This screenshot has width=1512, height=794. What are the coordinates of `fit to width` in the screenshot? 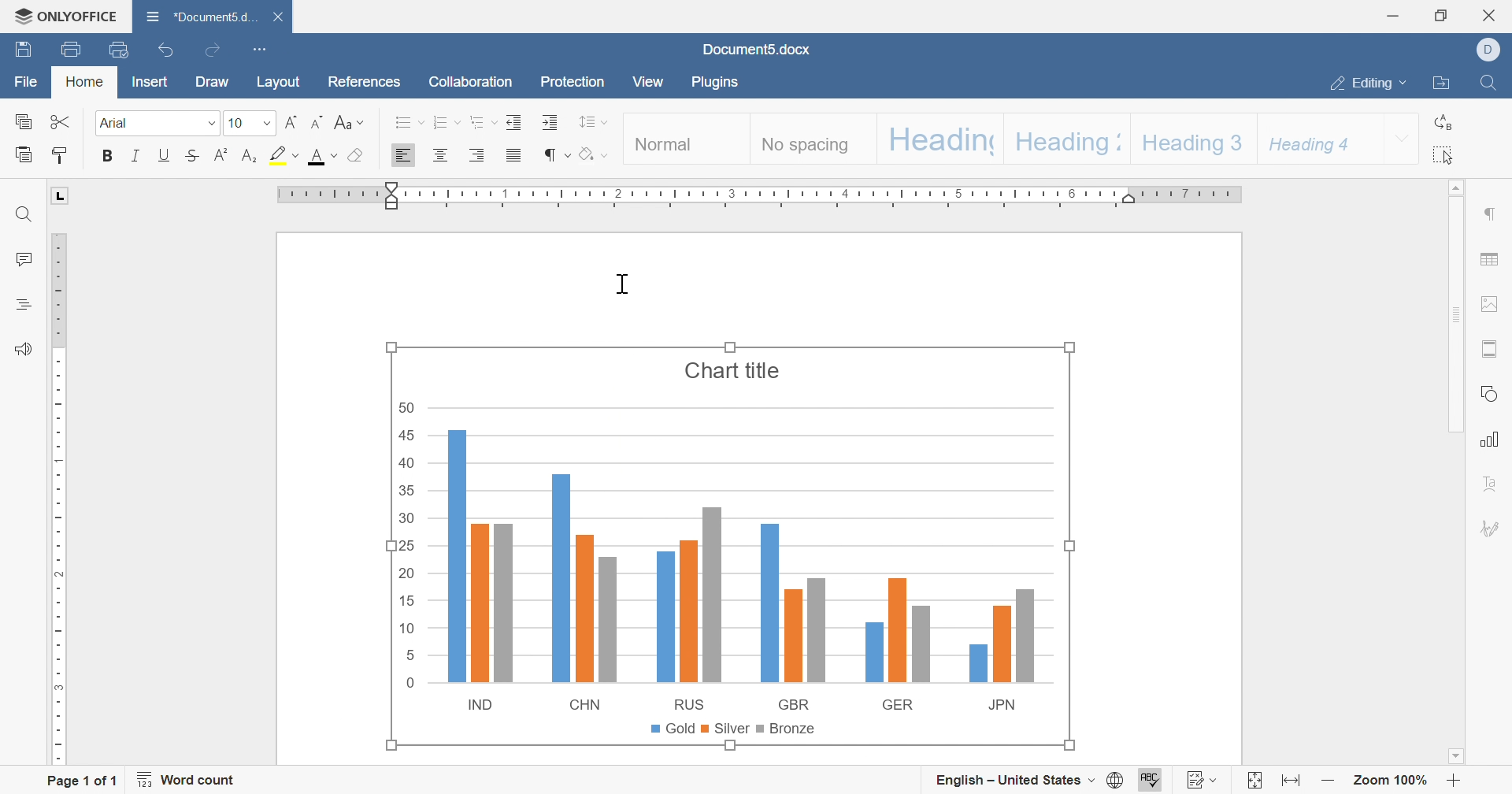 It's located at (1293, 781).